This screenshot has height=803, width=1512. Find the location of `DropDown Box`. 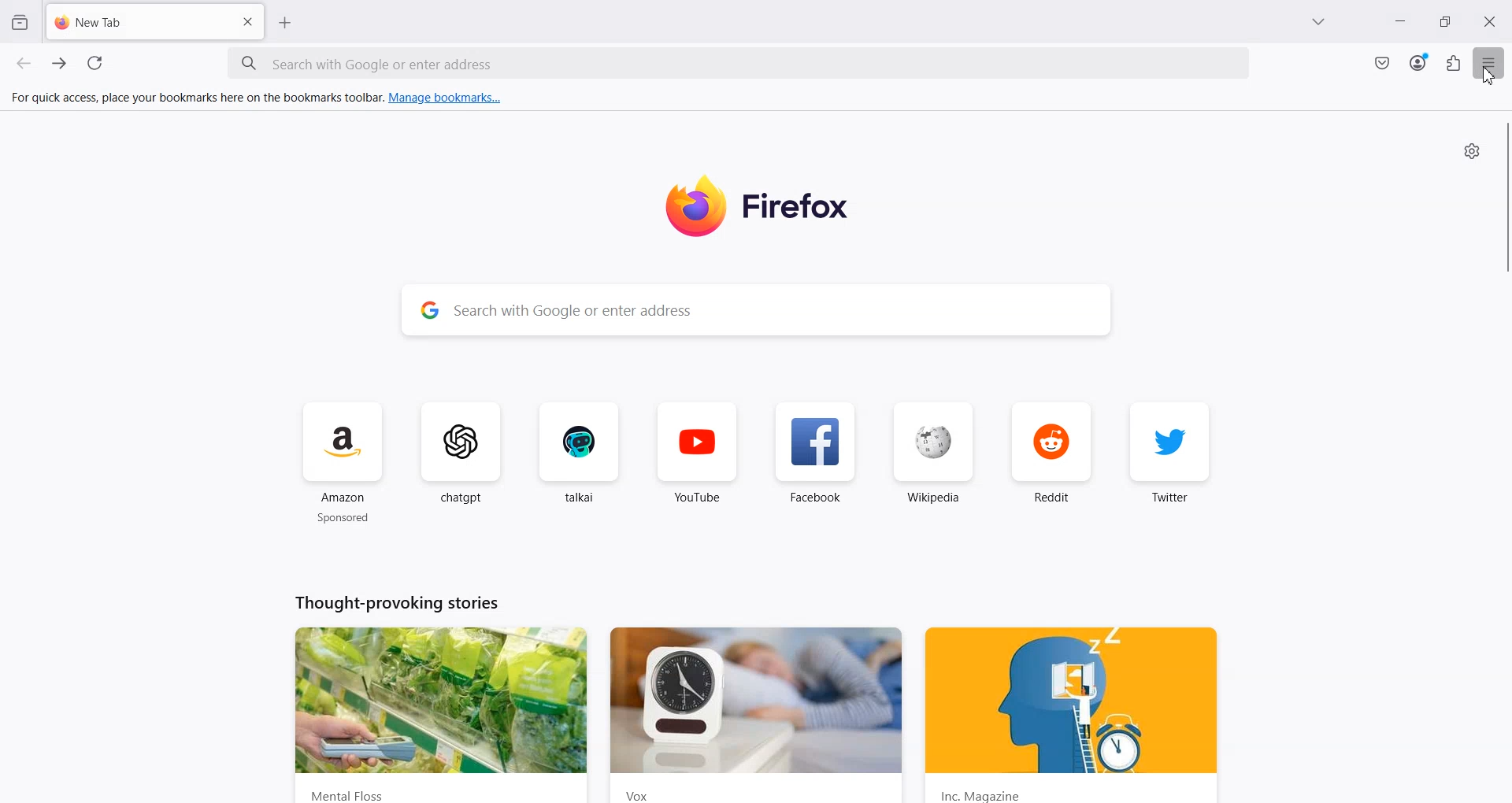

DropDown Box is located at coordinates (1322, 22).